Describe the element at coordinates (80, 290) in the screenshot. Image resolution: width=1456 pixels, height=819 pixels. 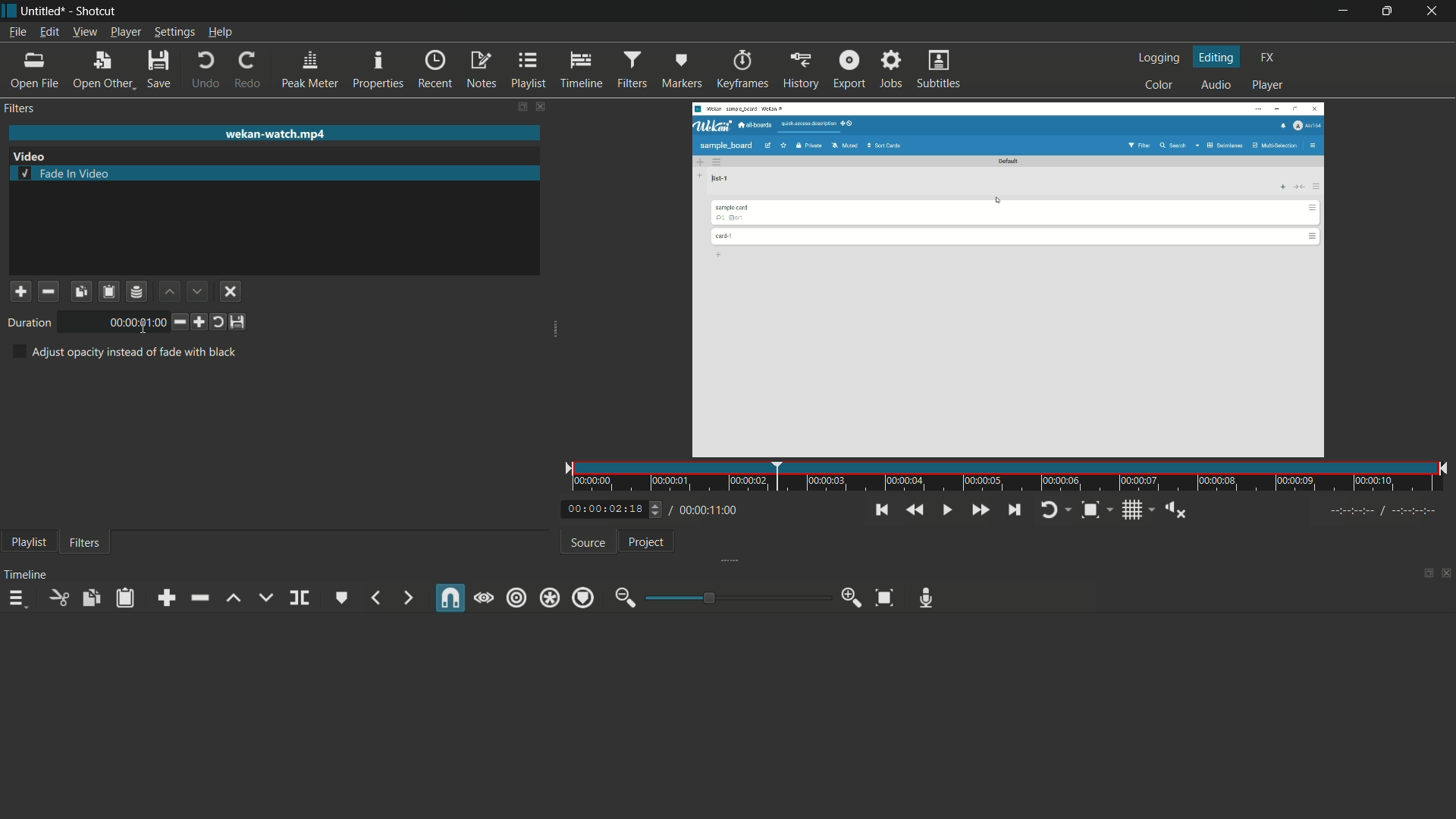
I see `copy checked filter` at that location.